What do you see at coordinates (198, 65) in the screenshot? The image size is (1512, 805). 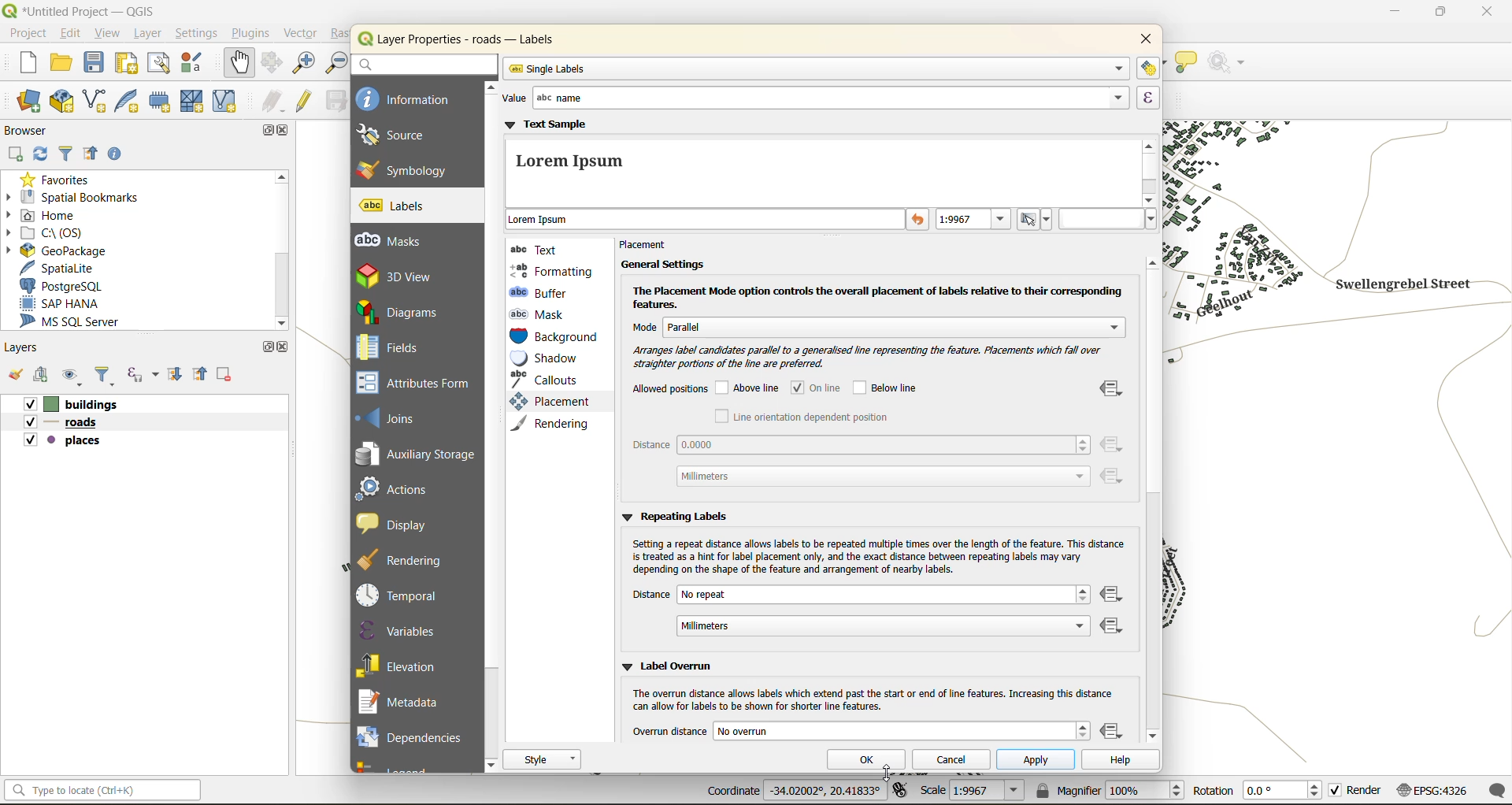 I see `style manager` at bounding box center [198, 65].